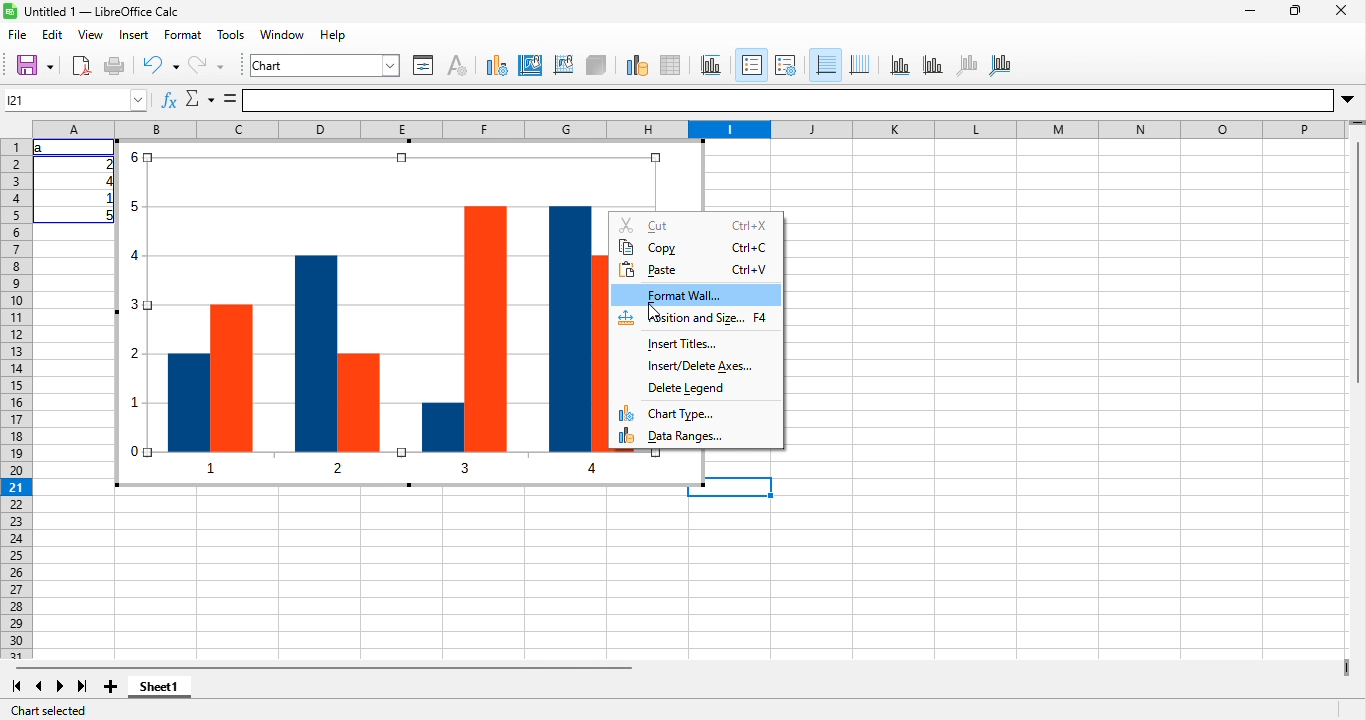 The height and width of the screenshot is (720, 1366). What do you see at coordinates (361, 313) in the screenshot?
I see `Bar chart` at bounding box center [361, 313].